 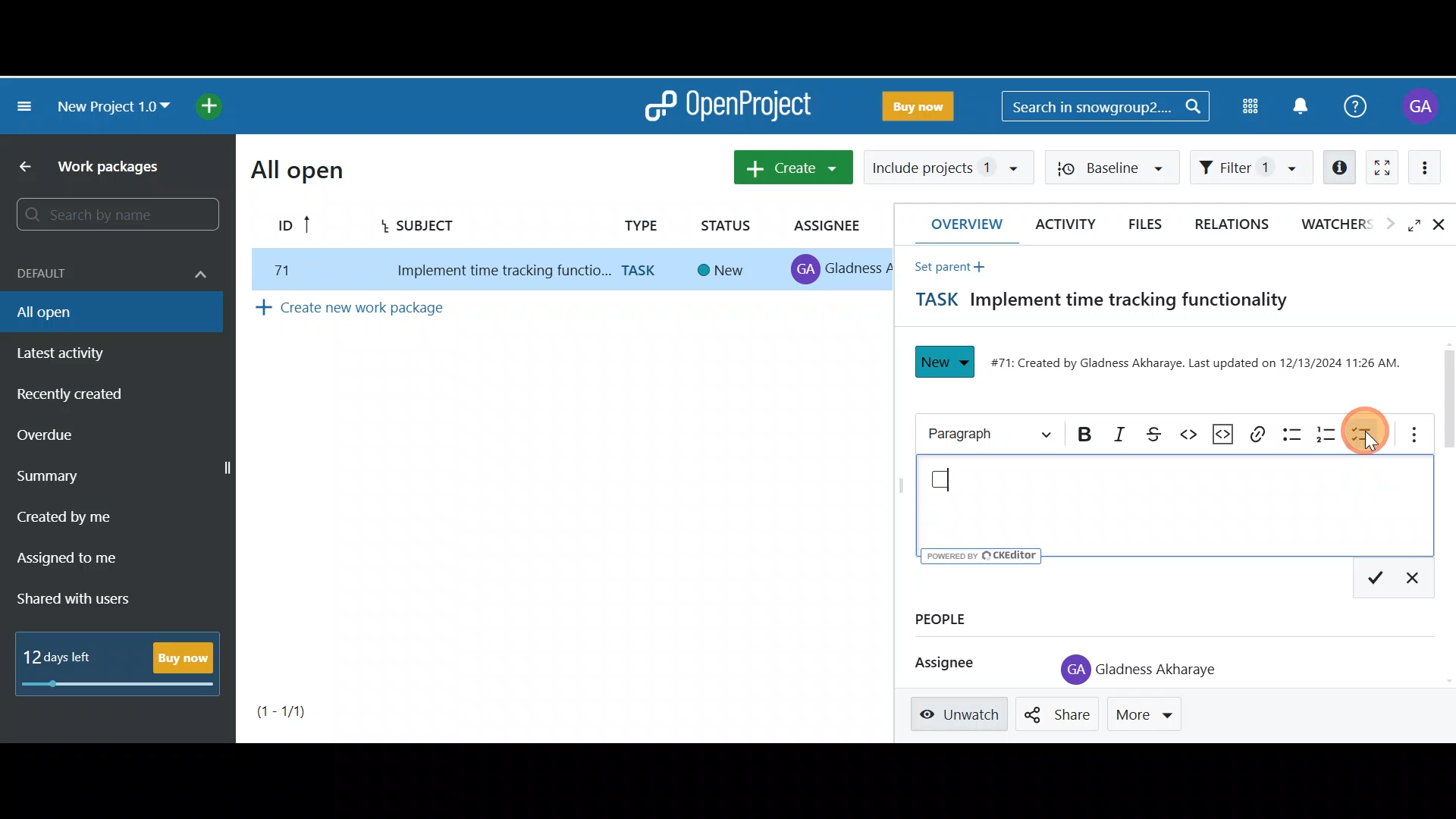 What do you see at coordinates (1359, 111) in the screenshot?
I see `Help` at bounding box center [1359, 111].